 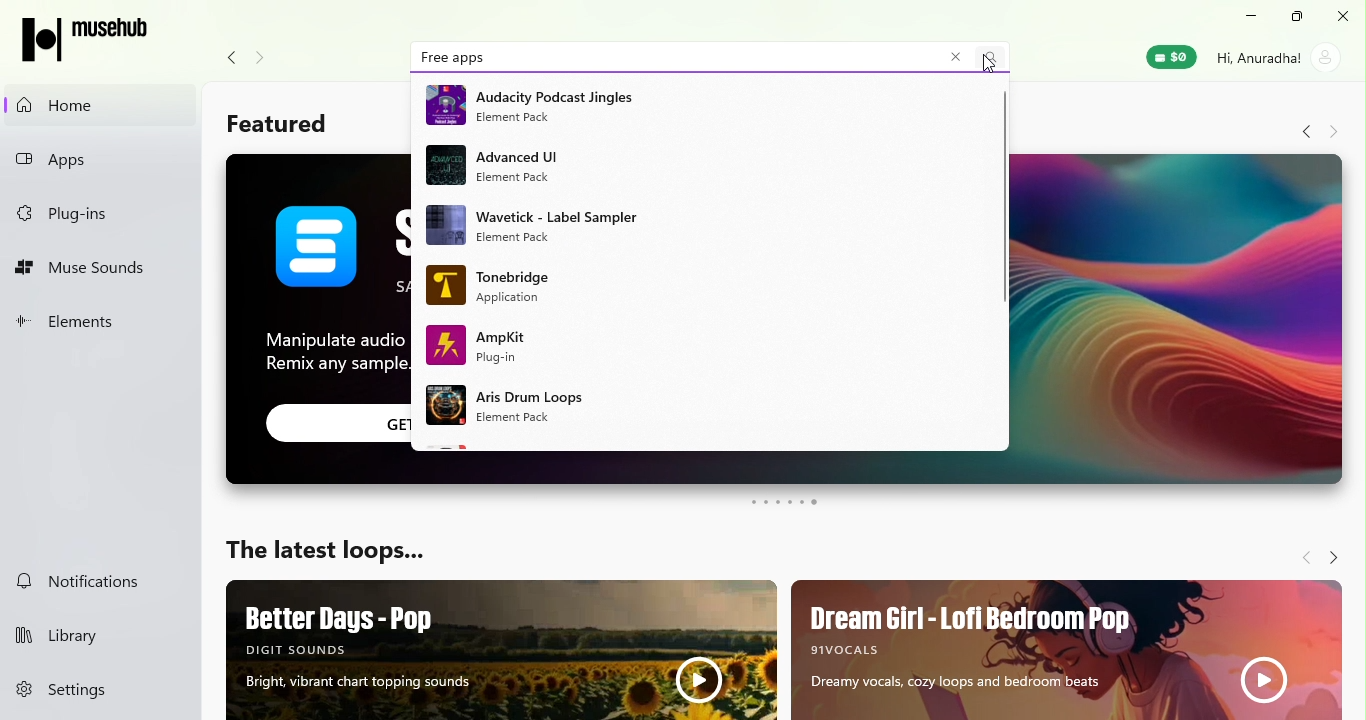 I want to click on Search bar, so click(x=715, y=57).